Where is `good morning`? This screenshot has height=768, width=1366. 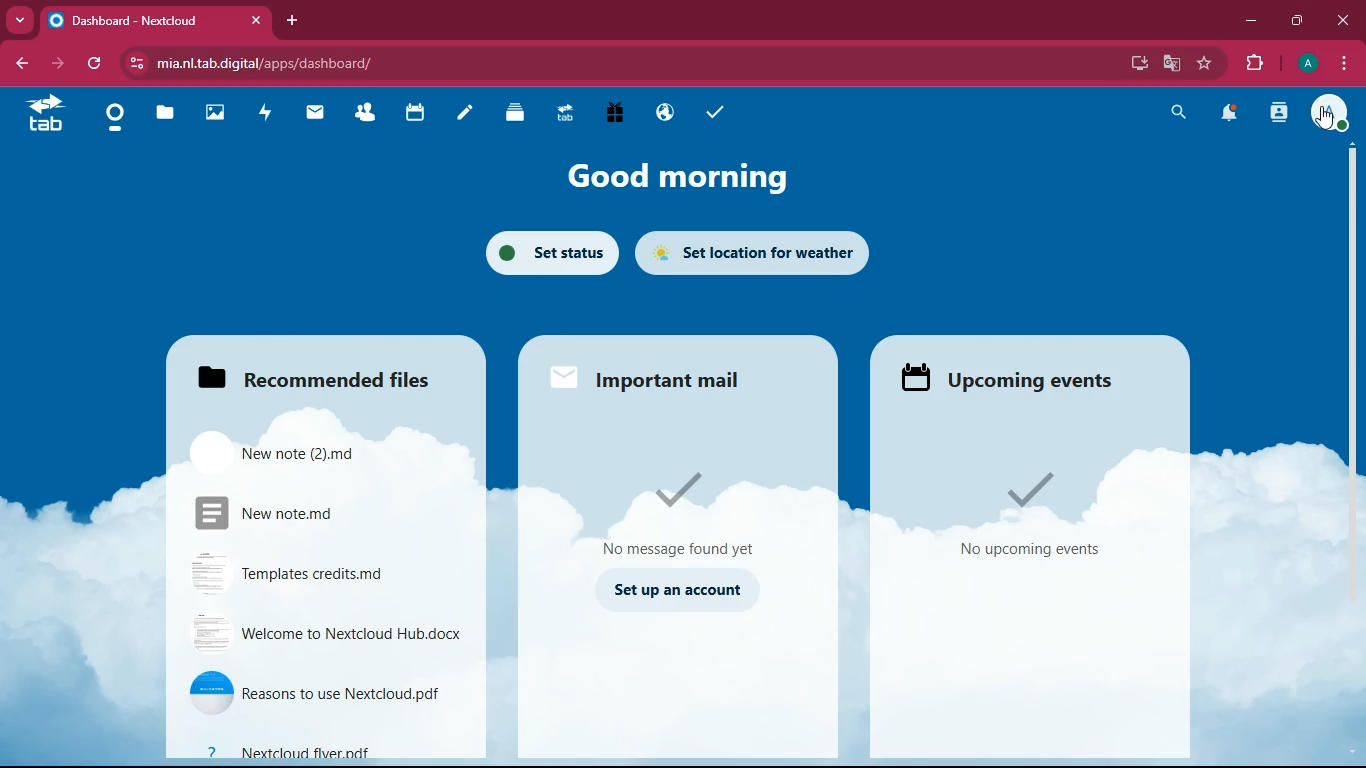 good morning is located at coordinates (678, 181).